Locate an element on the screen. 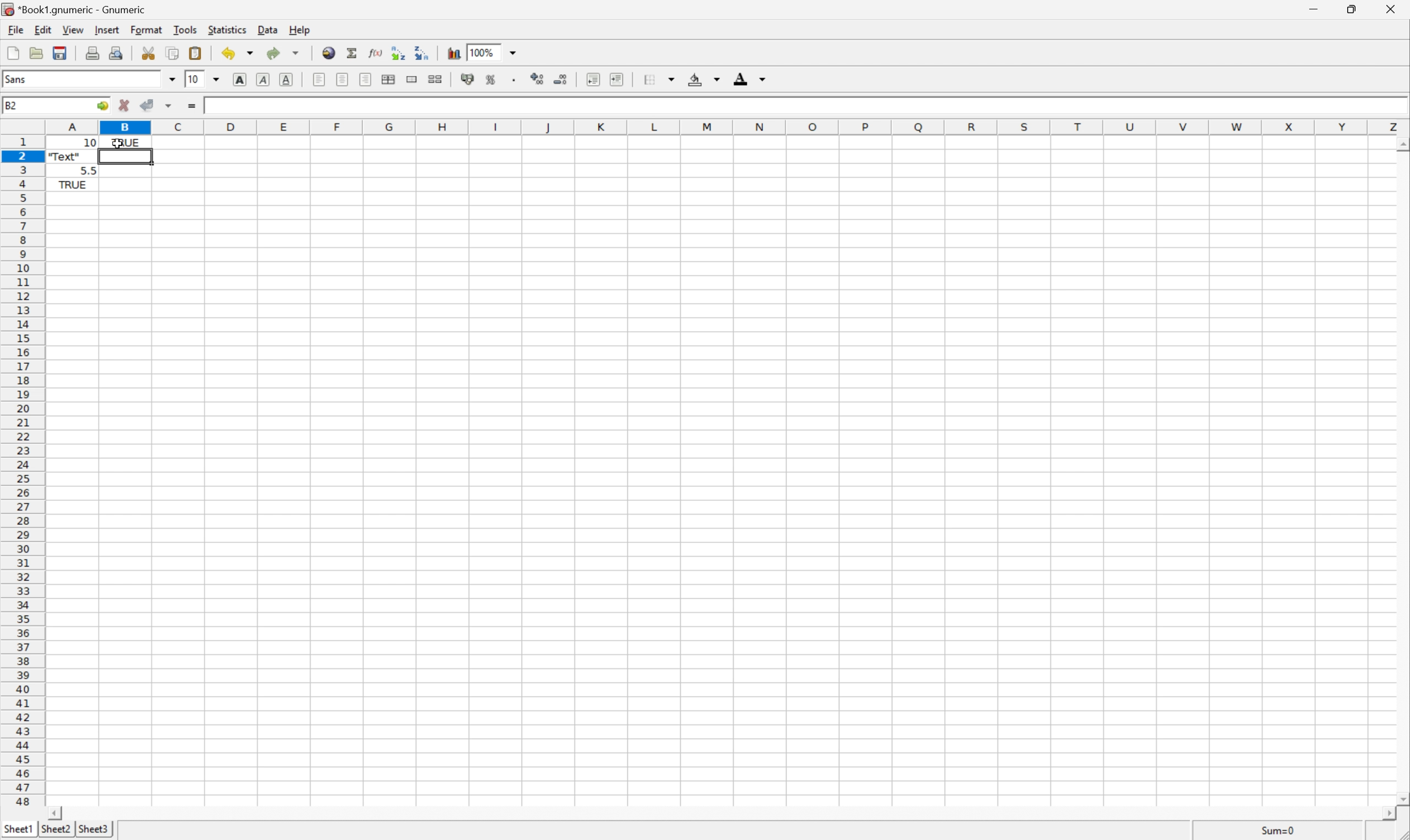  Scroll Left is located at coordinates (54, 813).